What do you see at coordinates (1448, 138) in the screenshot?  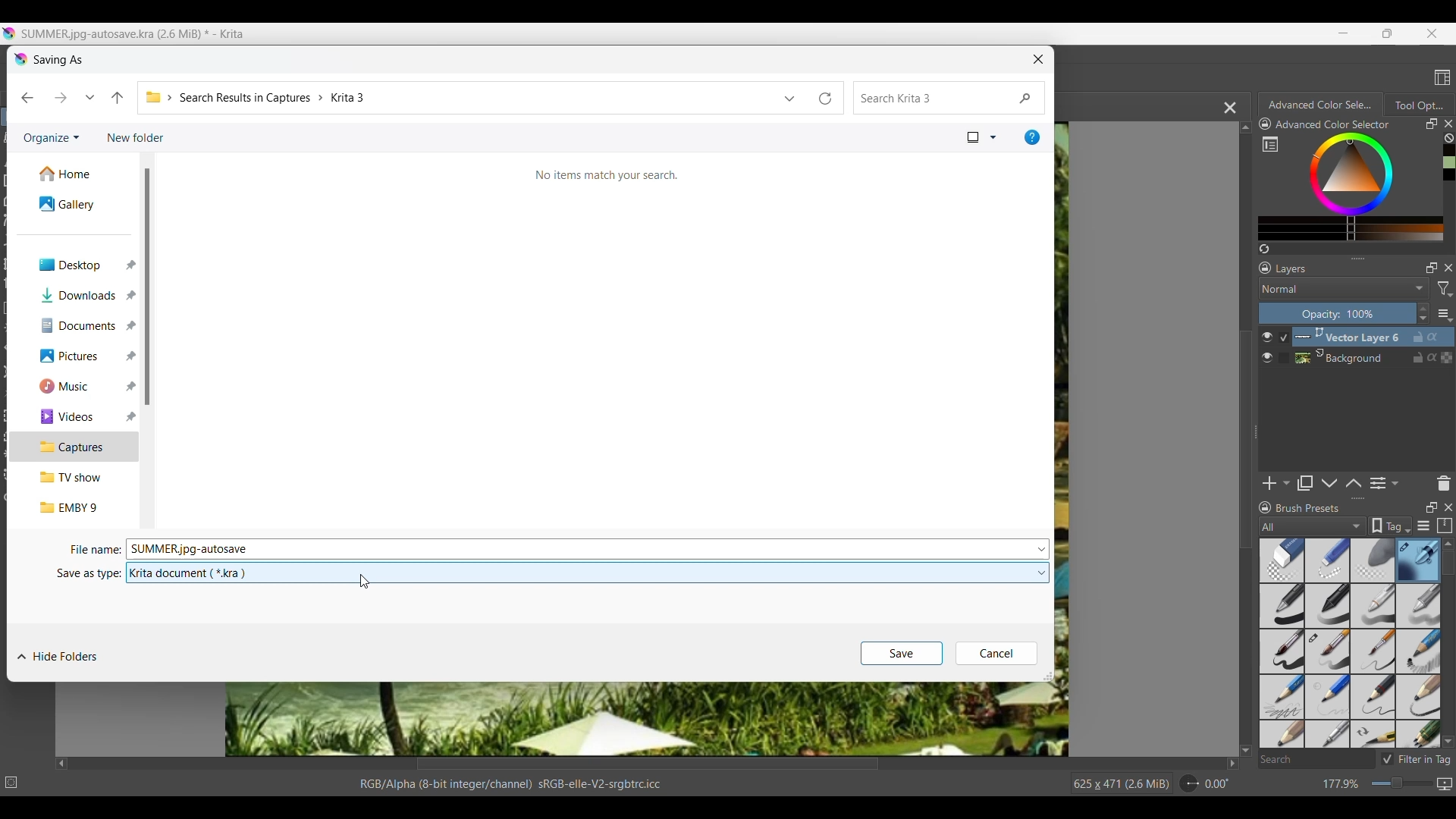 I see `Clear all color history` at bounding box center [1448, 138].